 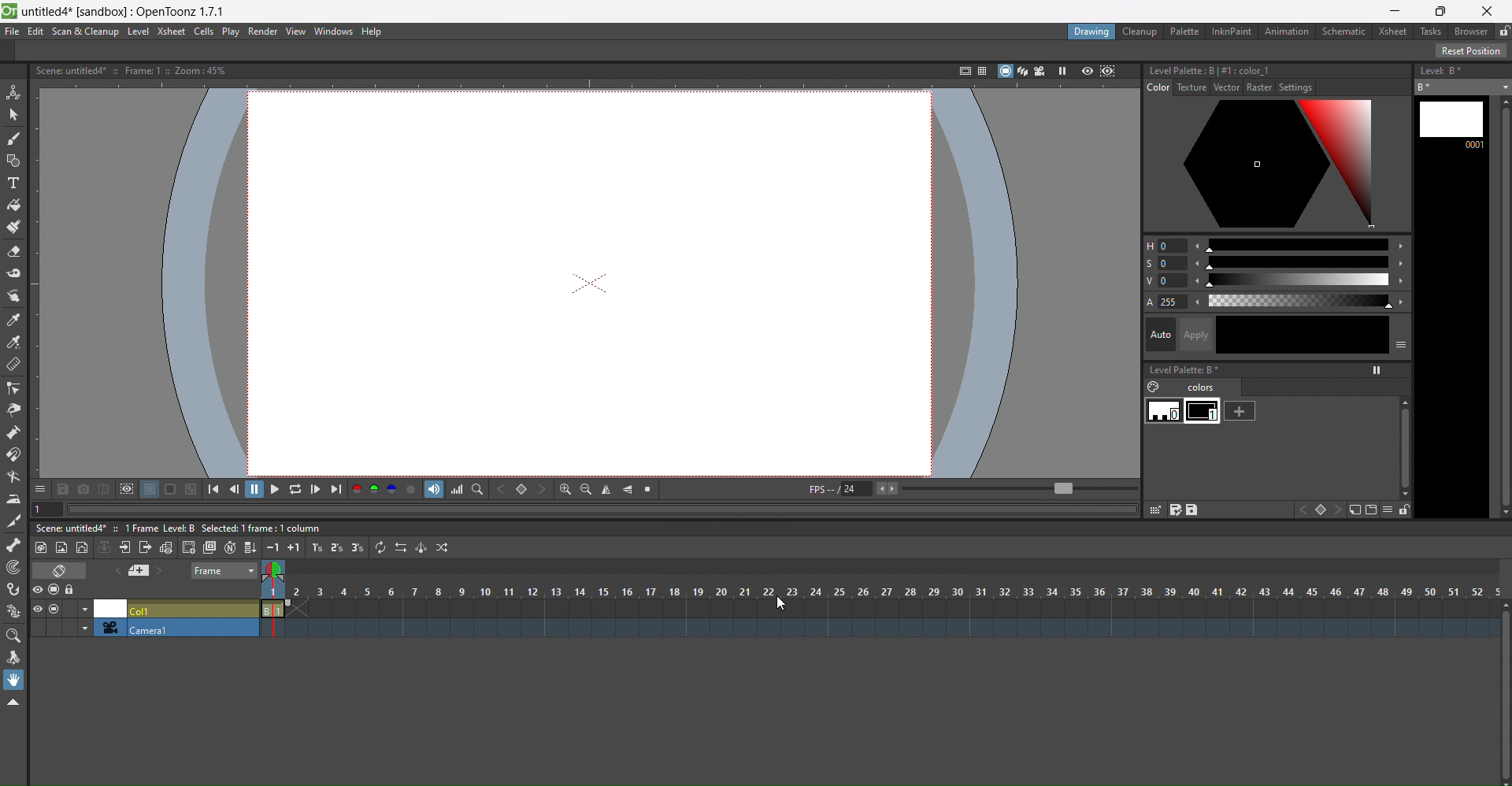 I want to click on last frame, so click(x=336, y=489).